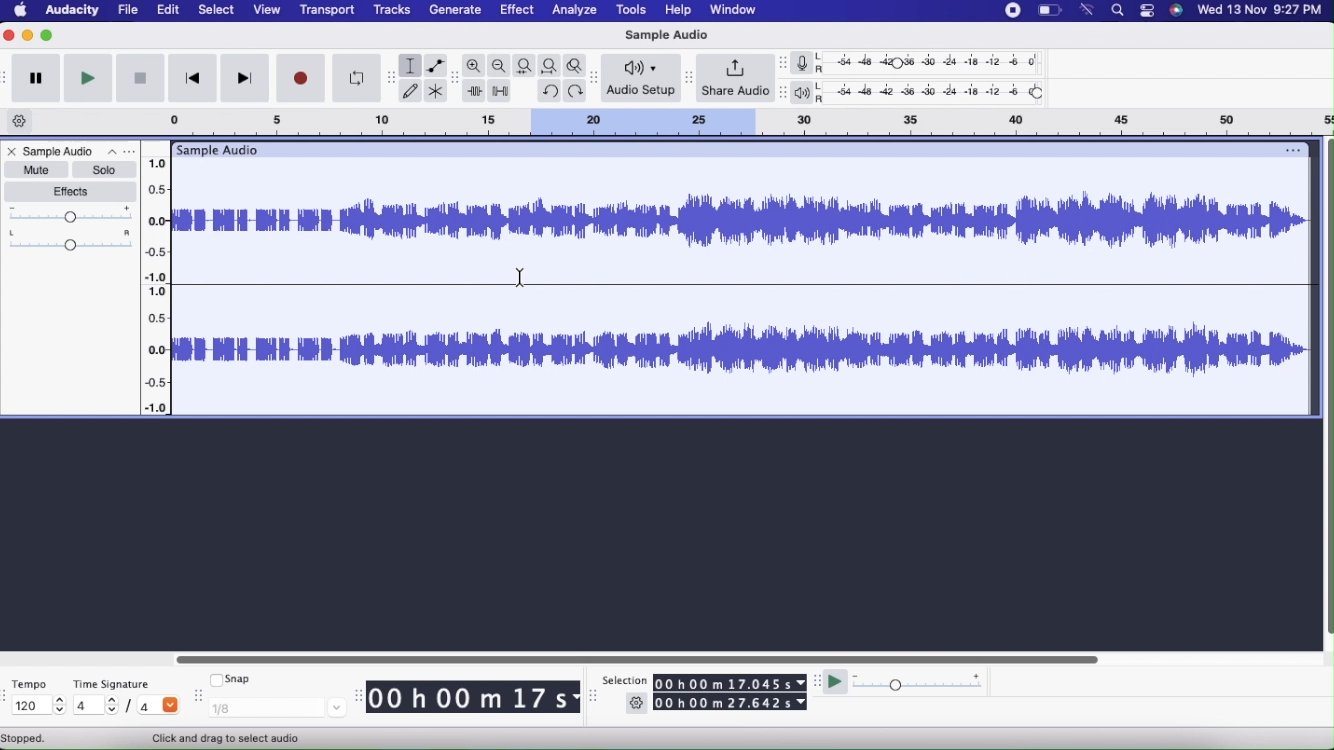 The width and height of the screenshot is (1334, 750). What do you see at coordinates (21, 122) in the screenshot?
I see `Timeline Options` at bounding box center [21, 122].